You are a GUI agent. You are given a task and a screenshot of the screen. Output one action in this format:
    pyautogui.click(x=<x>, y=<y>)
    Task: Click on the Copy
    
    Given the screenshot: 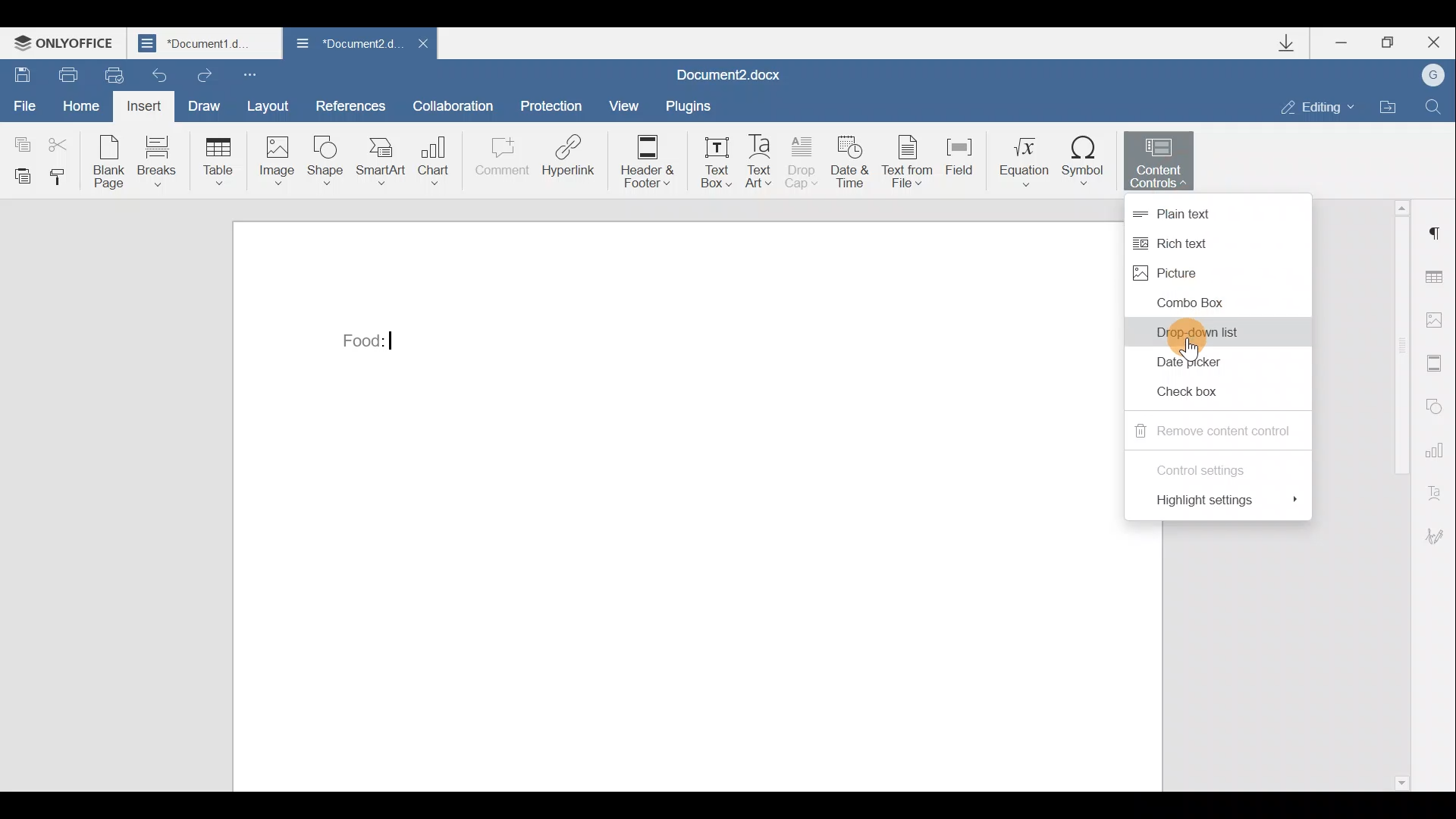 What is the action you would take?
    pyautogui.click(x=21, y=141)
    